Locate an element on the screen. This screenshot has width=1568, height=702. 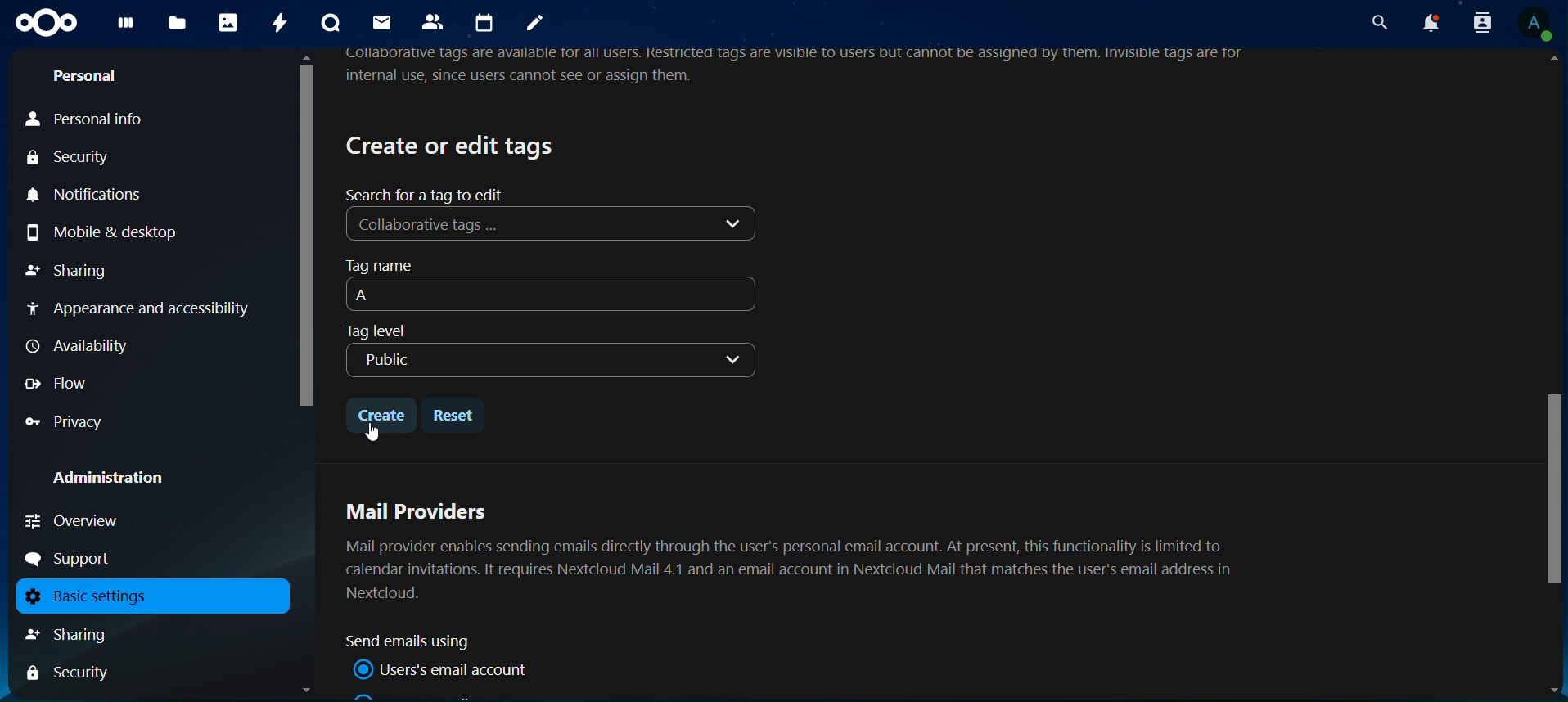
personal is located at coordinates (86, 79).